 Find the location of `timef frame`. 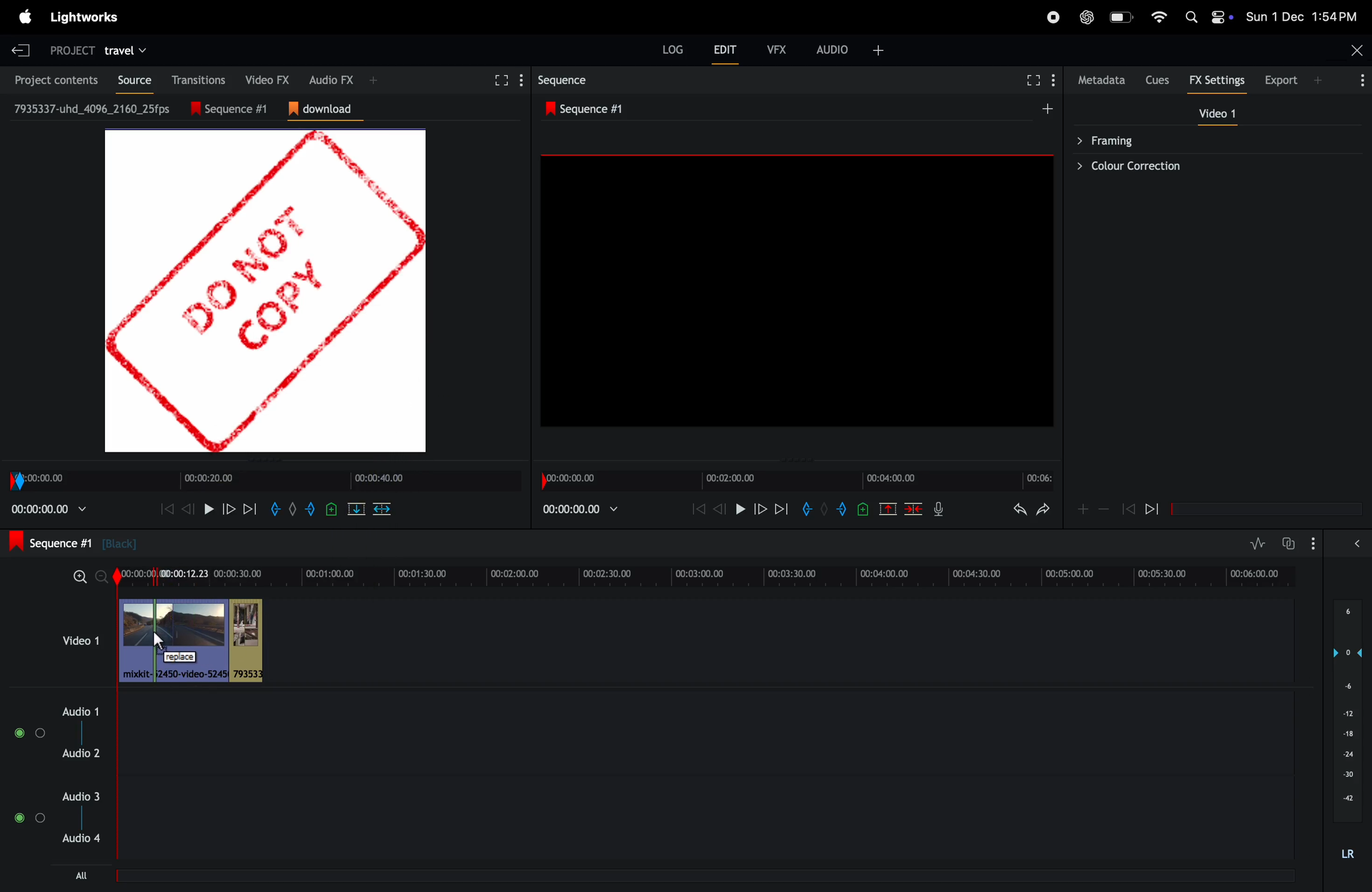

timef frame is located at coordinates (710, 577).